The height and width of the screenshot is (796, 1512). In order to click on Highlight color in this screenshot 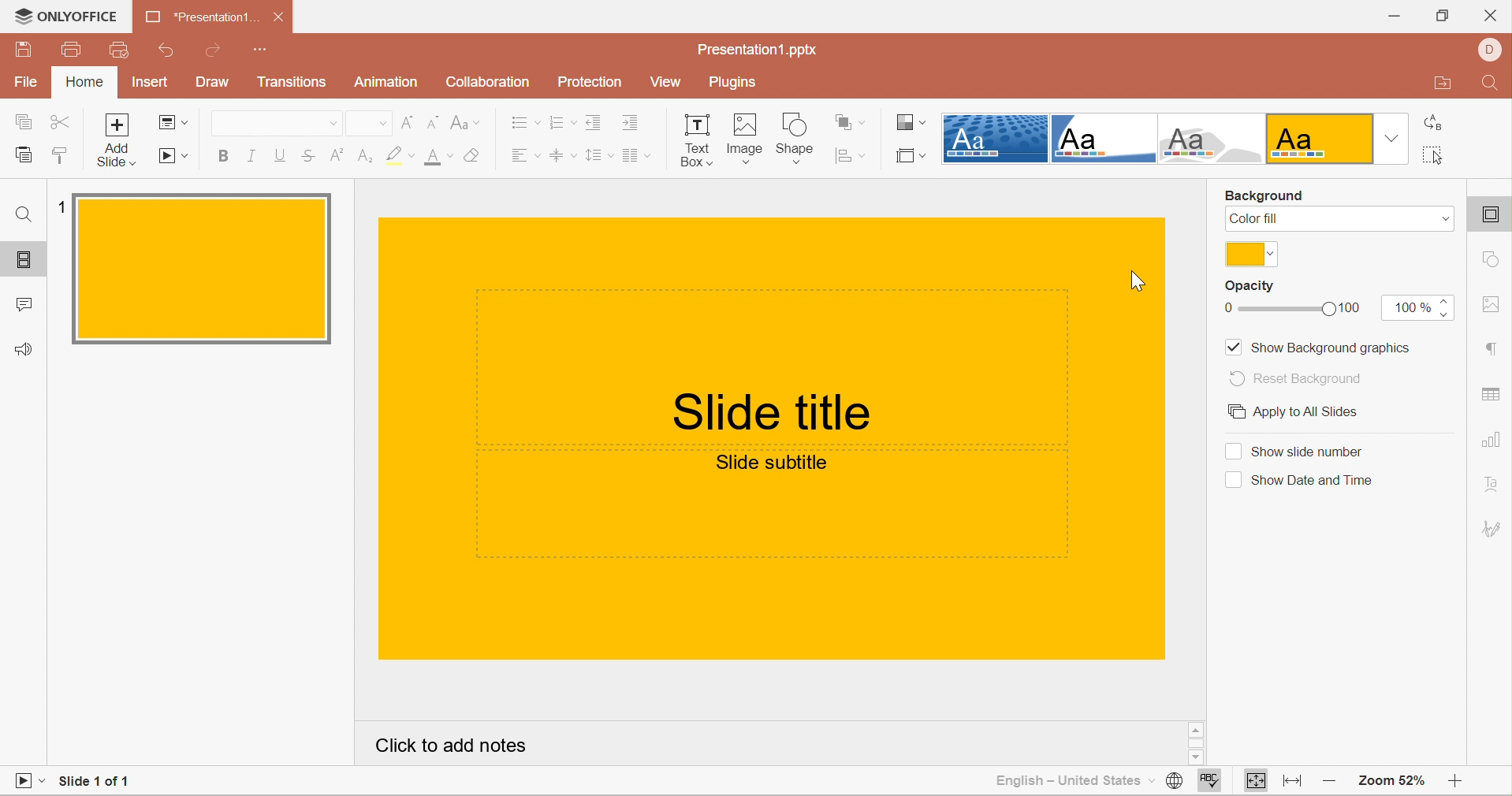, I will do `click(401, 156)`.